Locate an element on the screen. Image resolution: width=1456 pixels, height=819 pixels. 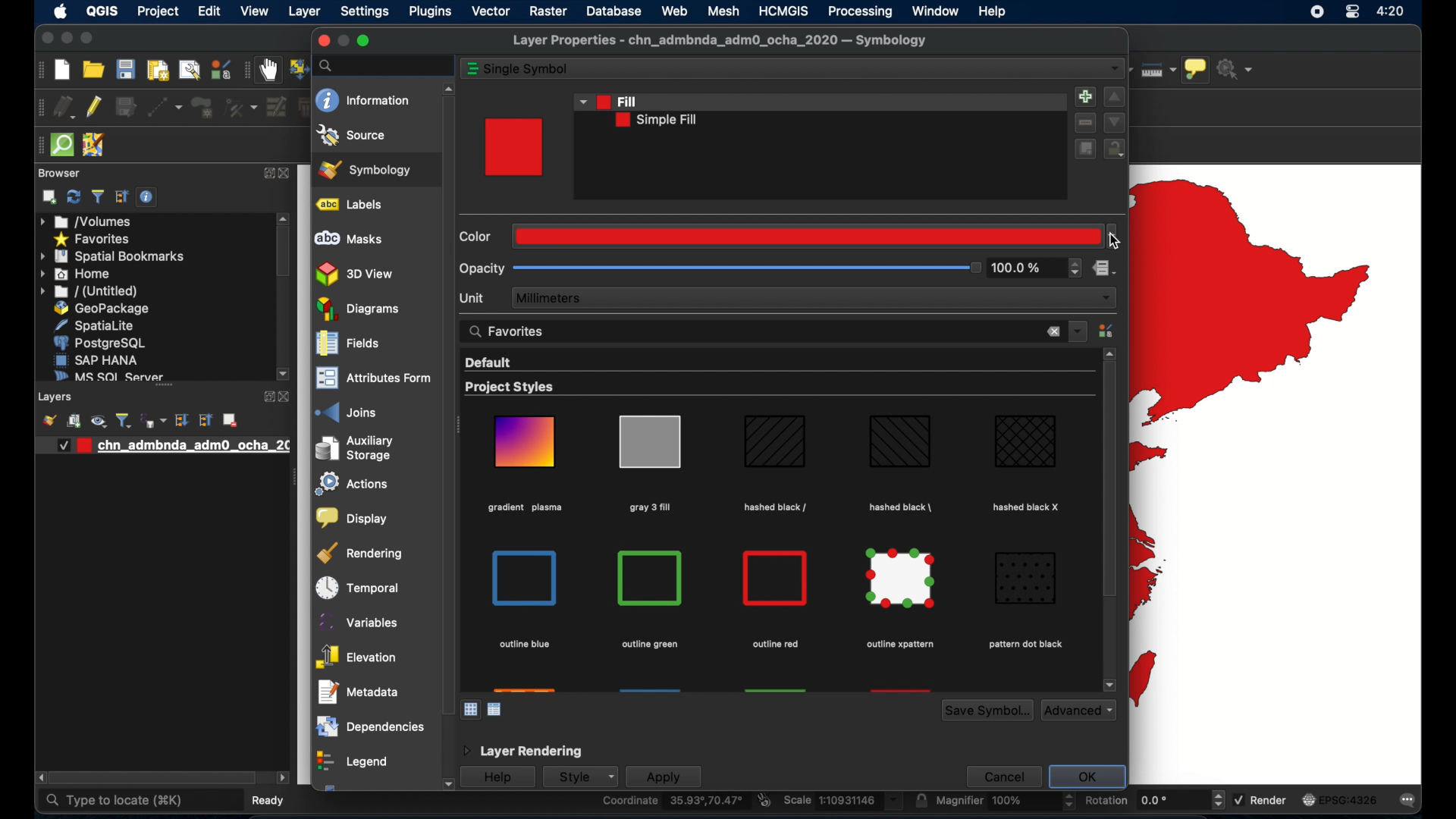
scroll down arrow is located at coordinates (446, 785).